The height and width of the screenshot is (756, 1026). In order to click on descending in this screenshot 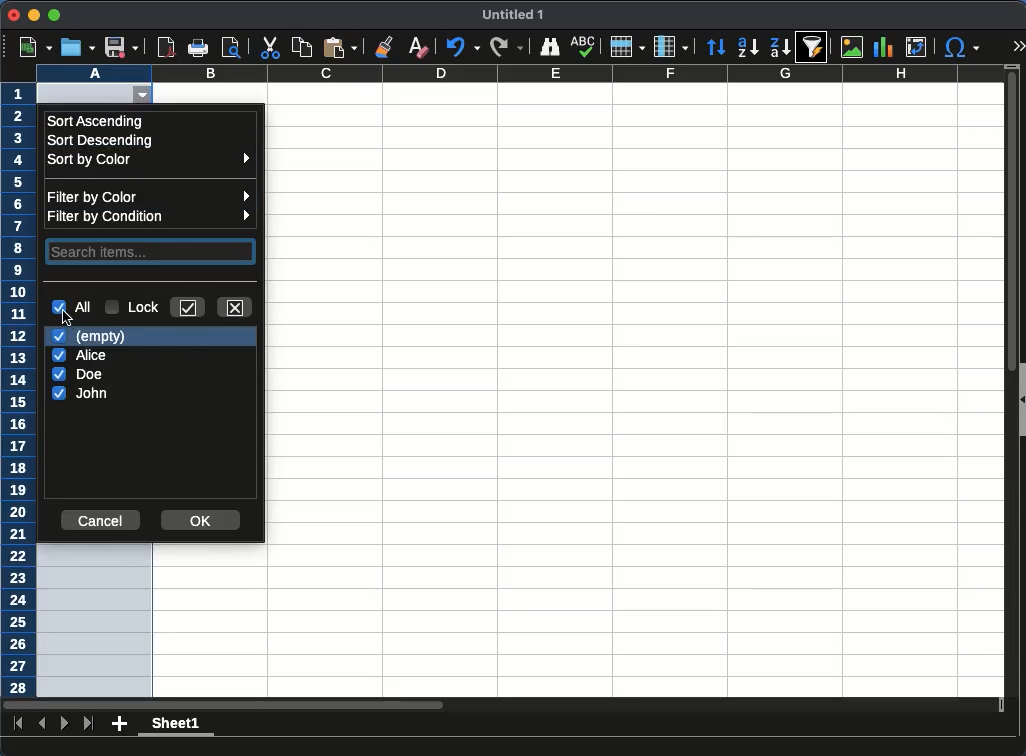, I will do `click(781, 48)`.